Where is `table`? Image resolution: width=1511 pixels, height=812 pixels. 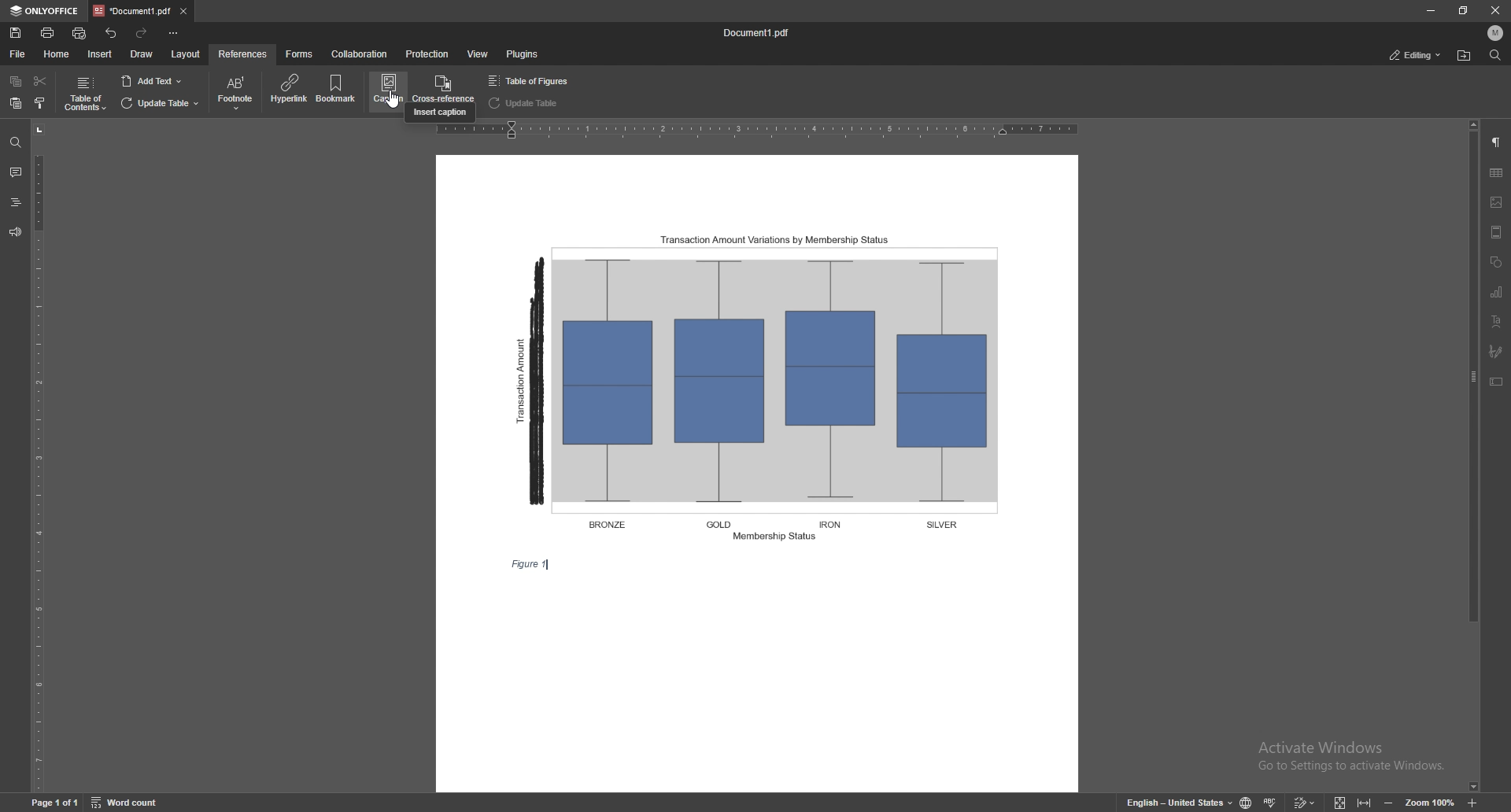
table is located at coordinates (1497, 172).